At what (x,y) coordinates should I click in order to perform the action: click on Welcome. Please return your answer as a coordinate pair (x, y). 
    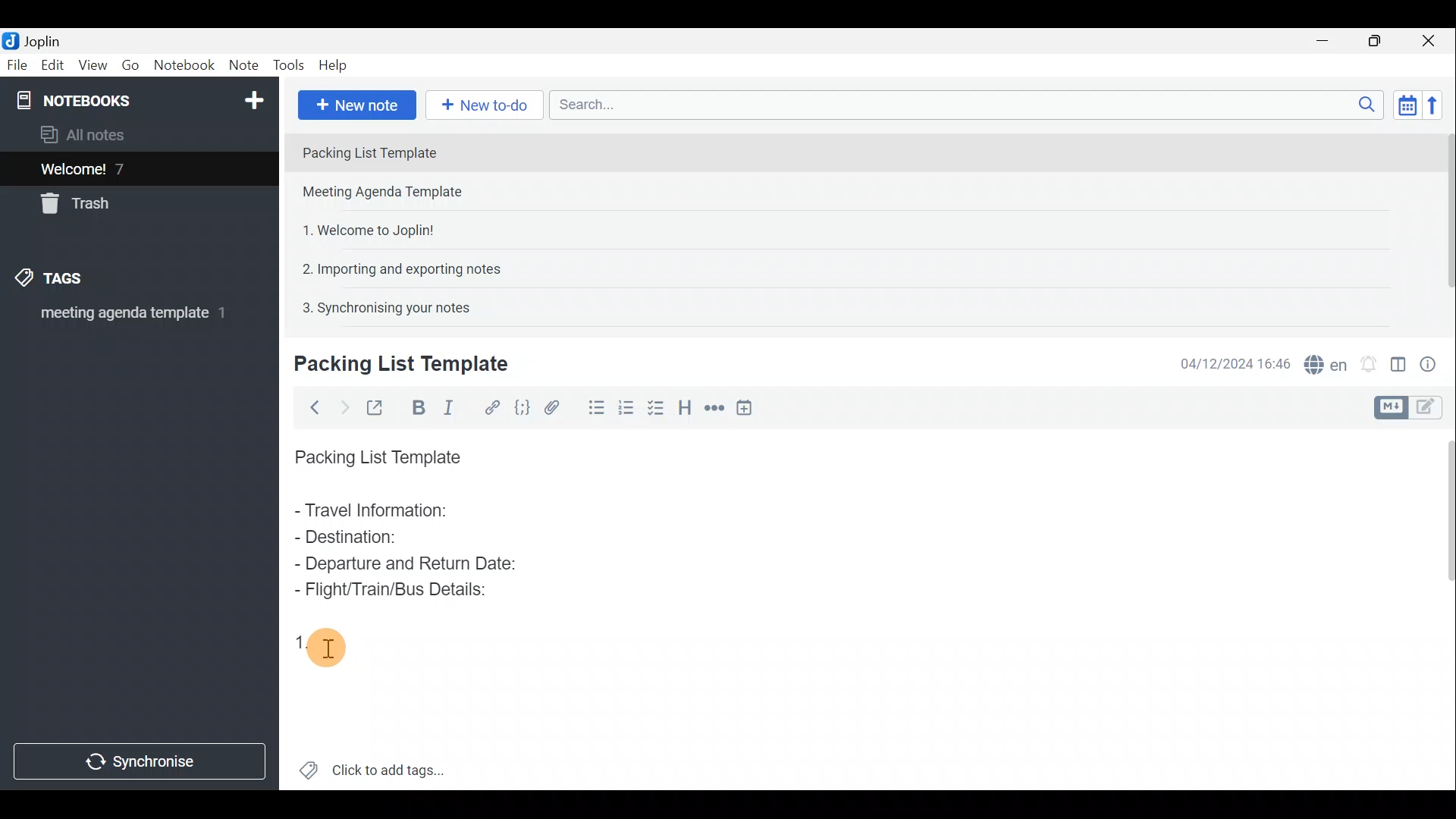
    Looking at the image, I should click on (116, 168).